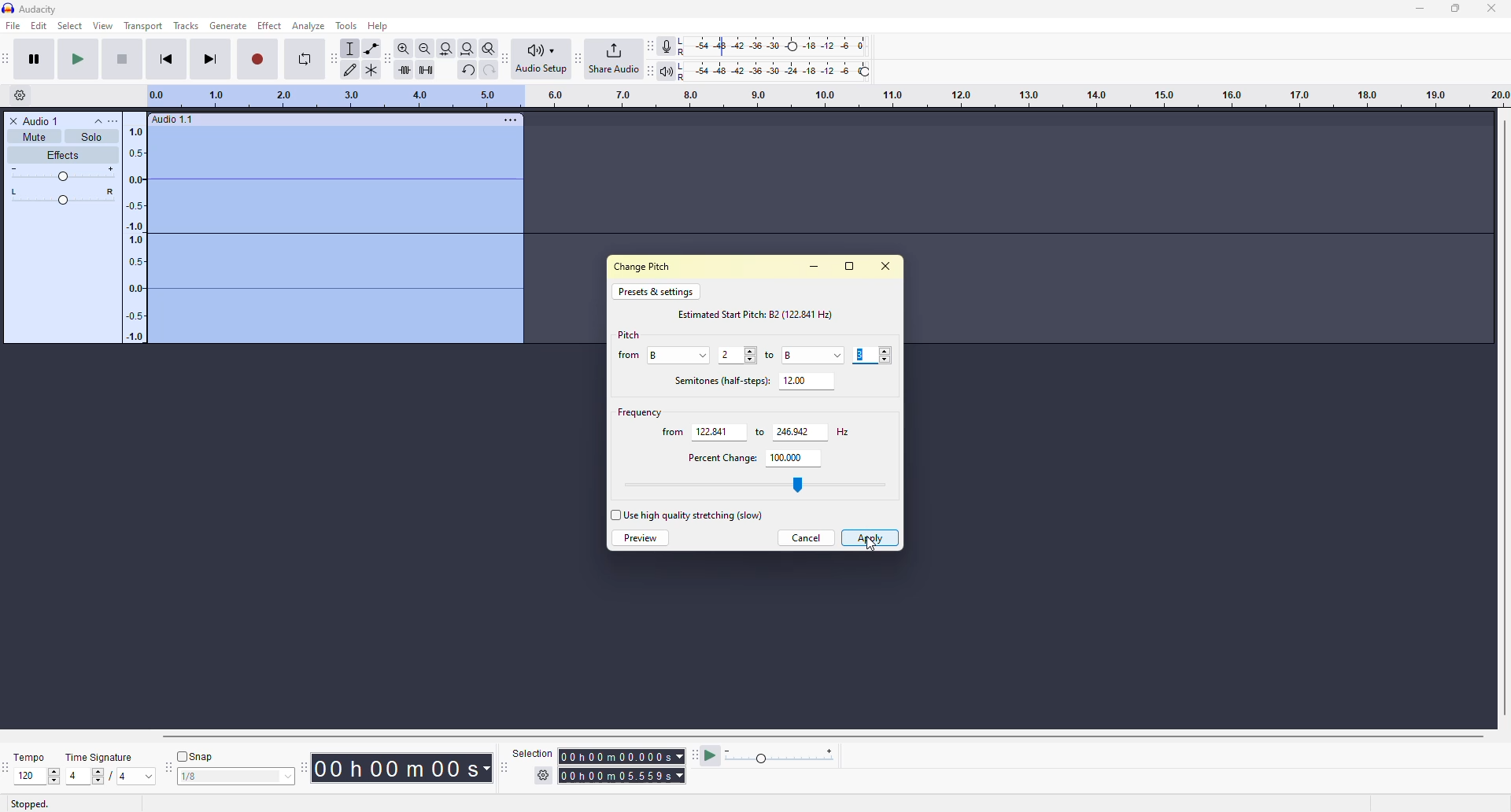  What do you see at coordinates (655, 291) in the screenshot?
I see `presets &settings` at bounding box center [655, 291].